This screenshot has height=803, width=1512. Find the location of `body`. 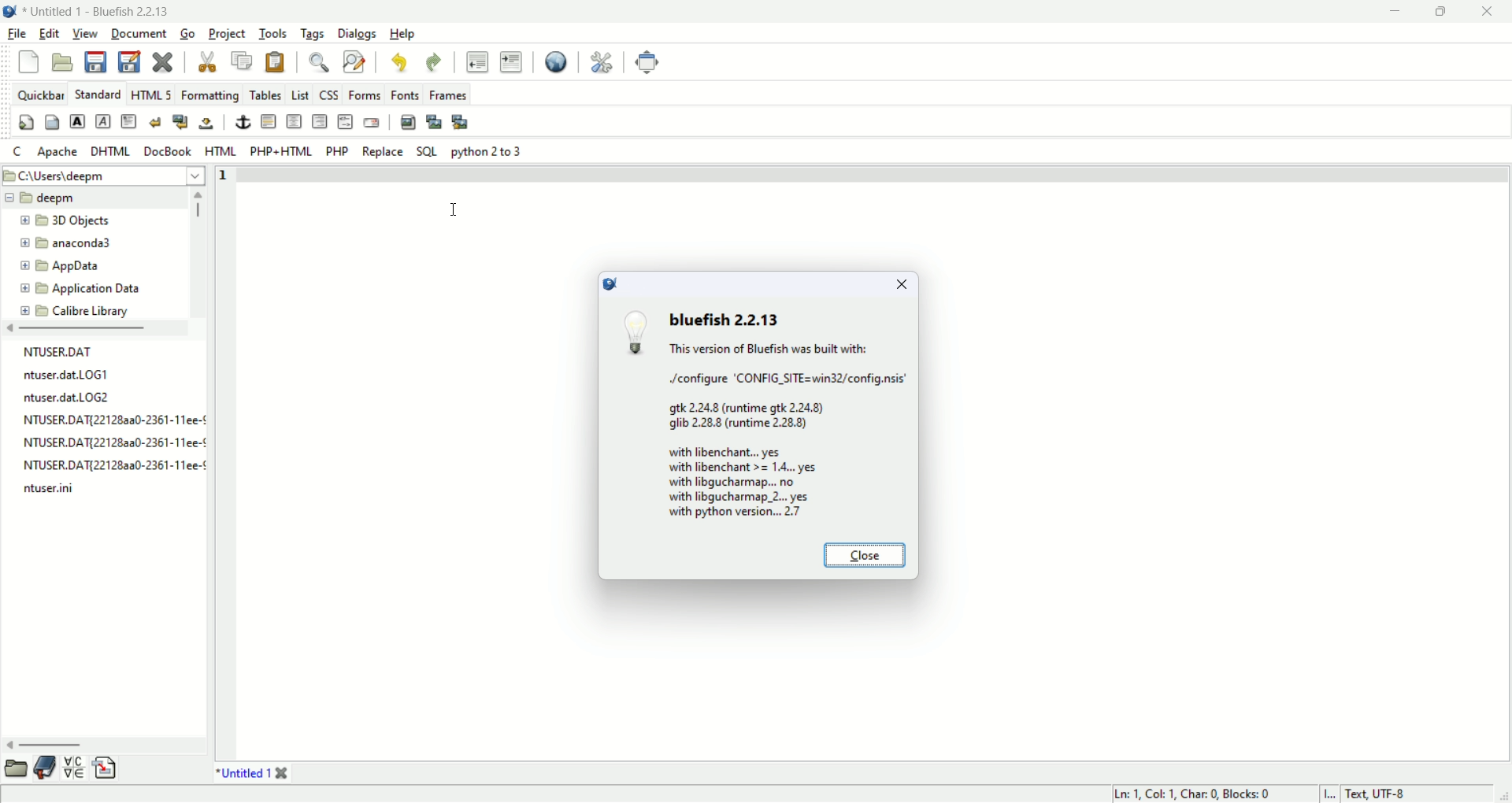

body is located at coordinates (54, 123).